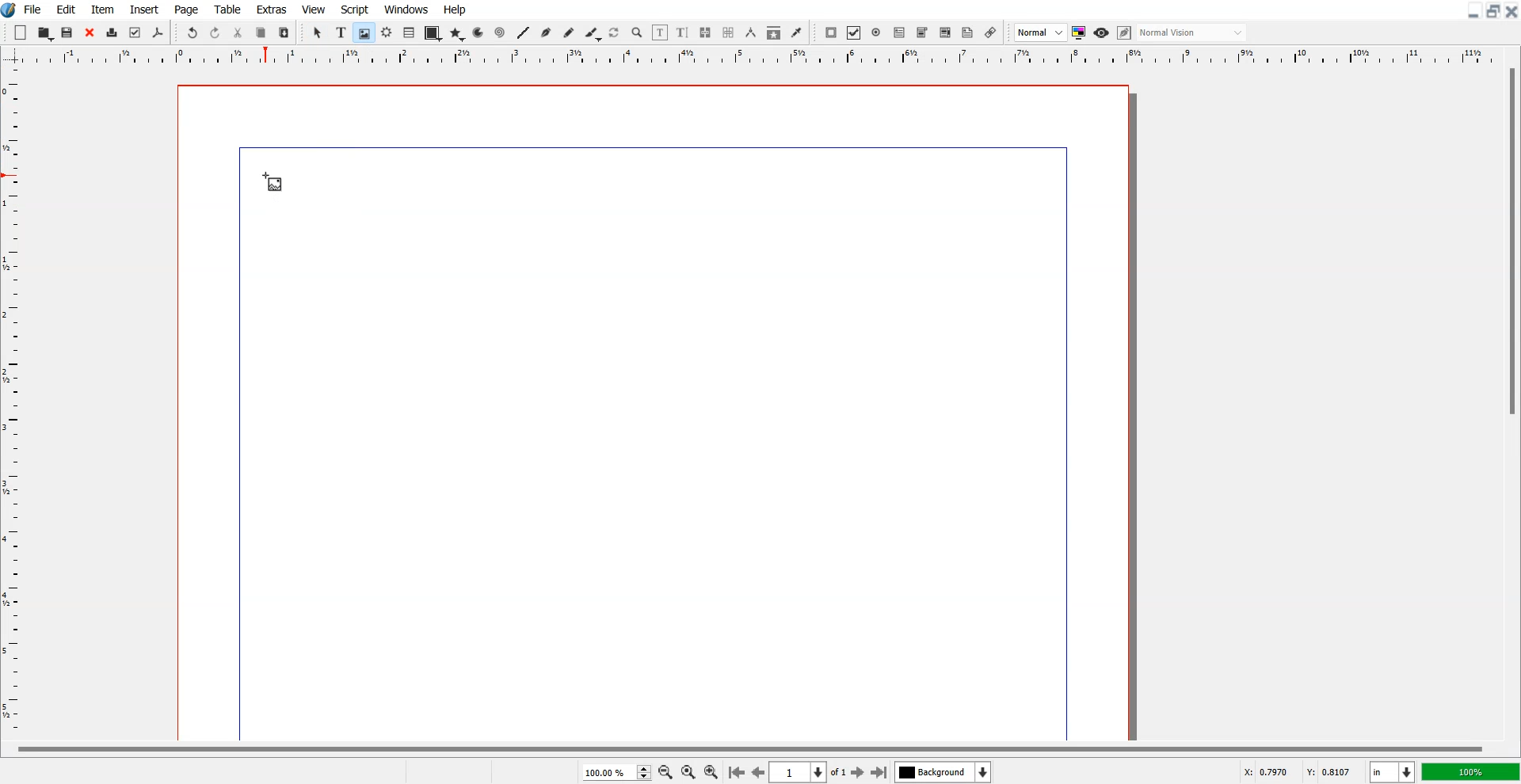 The width and height of the screenshot is (1521, 784). Describe the element at coordinates (946, 32) in the screenshot. I see `PDF List Box` at that location.